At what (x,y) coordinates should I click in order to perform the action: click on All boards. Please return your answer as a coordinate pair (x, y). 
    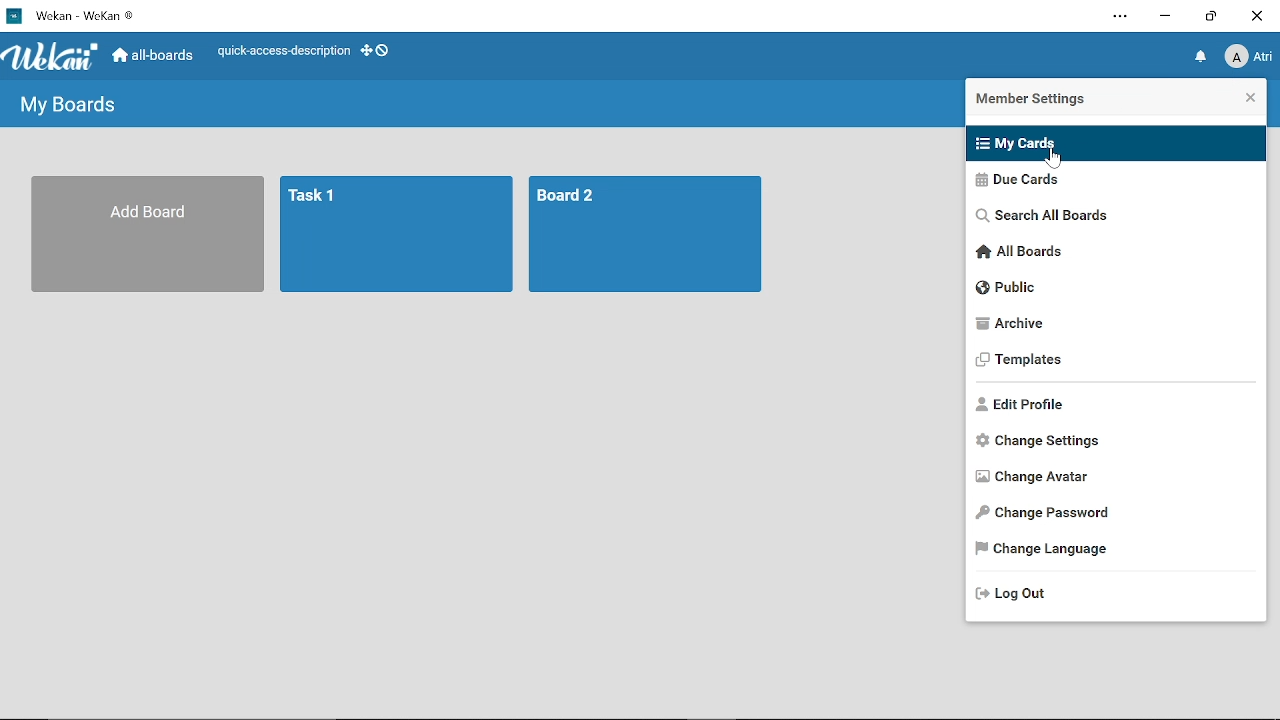
    Looking at the image, I should click on (152, 56).